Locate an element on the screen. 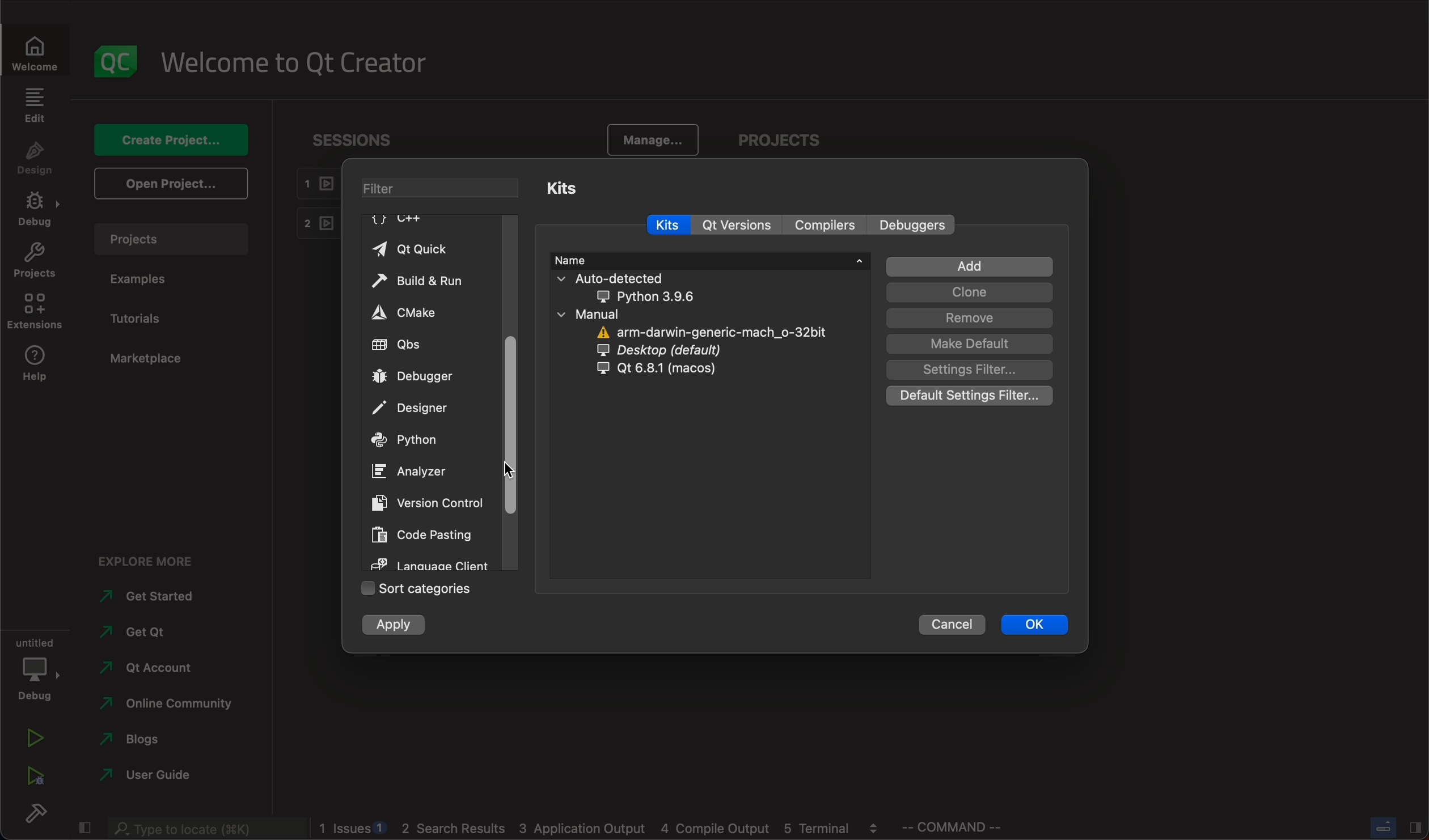 The width and height of the screenshot is (1429, 840). debug is located at coordinates (38, 669).